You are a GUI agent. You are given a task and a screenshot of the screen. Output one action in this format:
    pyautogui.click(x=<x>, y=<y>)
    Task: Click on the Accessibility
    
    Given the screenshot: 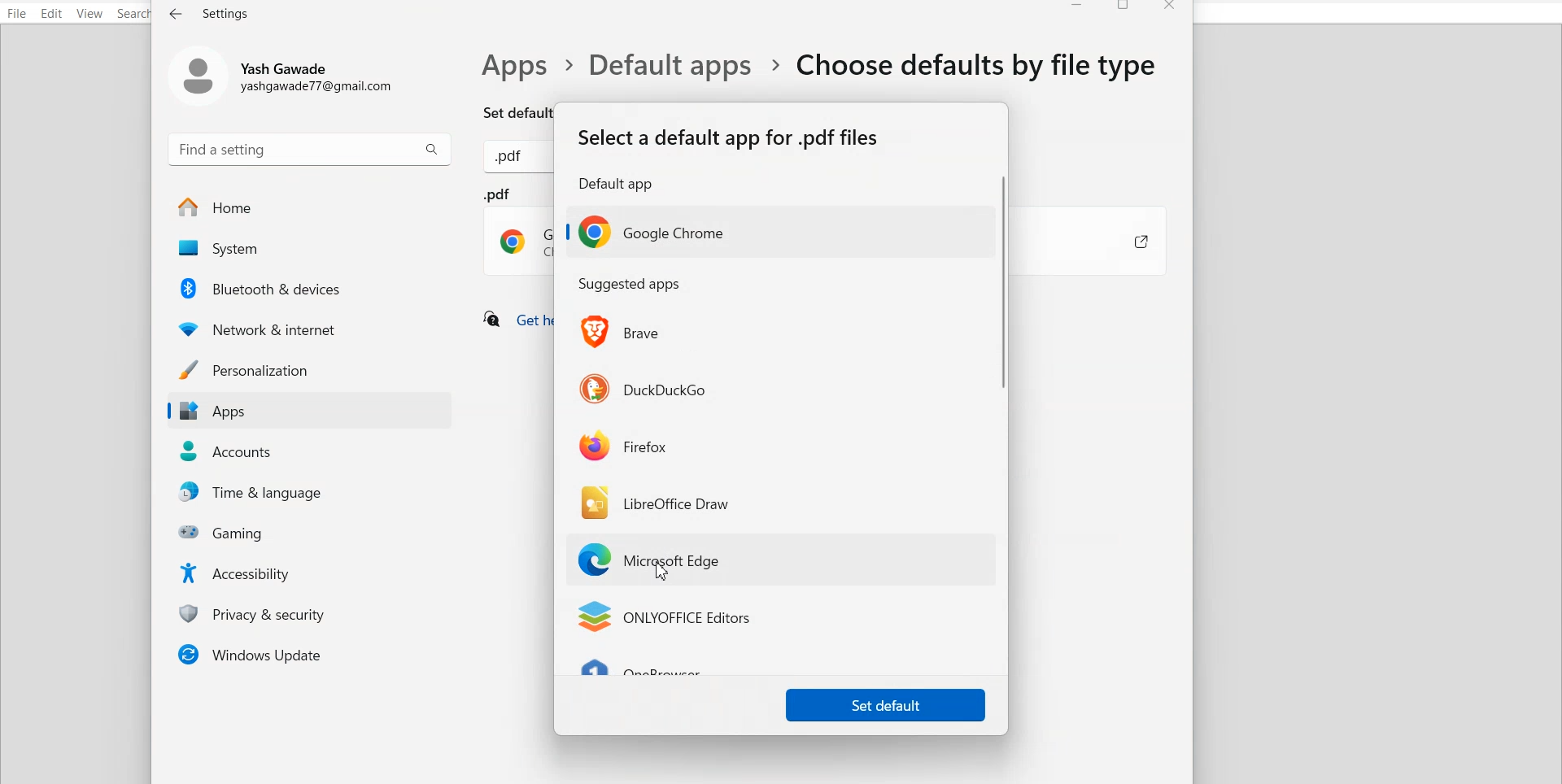 What is the action you would take?
    pyautogui.click(x=313, y=572)
    